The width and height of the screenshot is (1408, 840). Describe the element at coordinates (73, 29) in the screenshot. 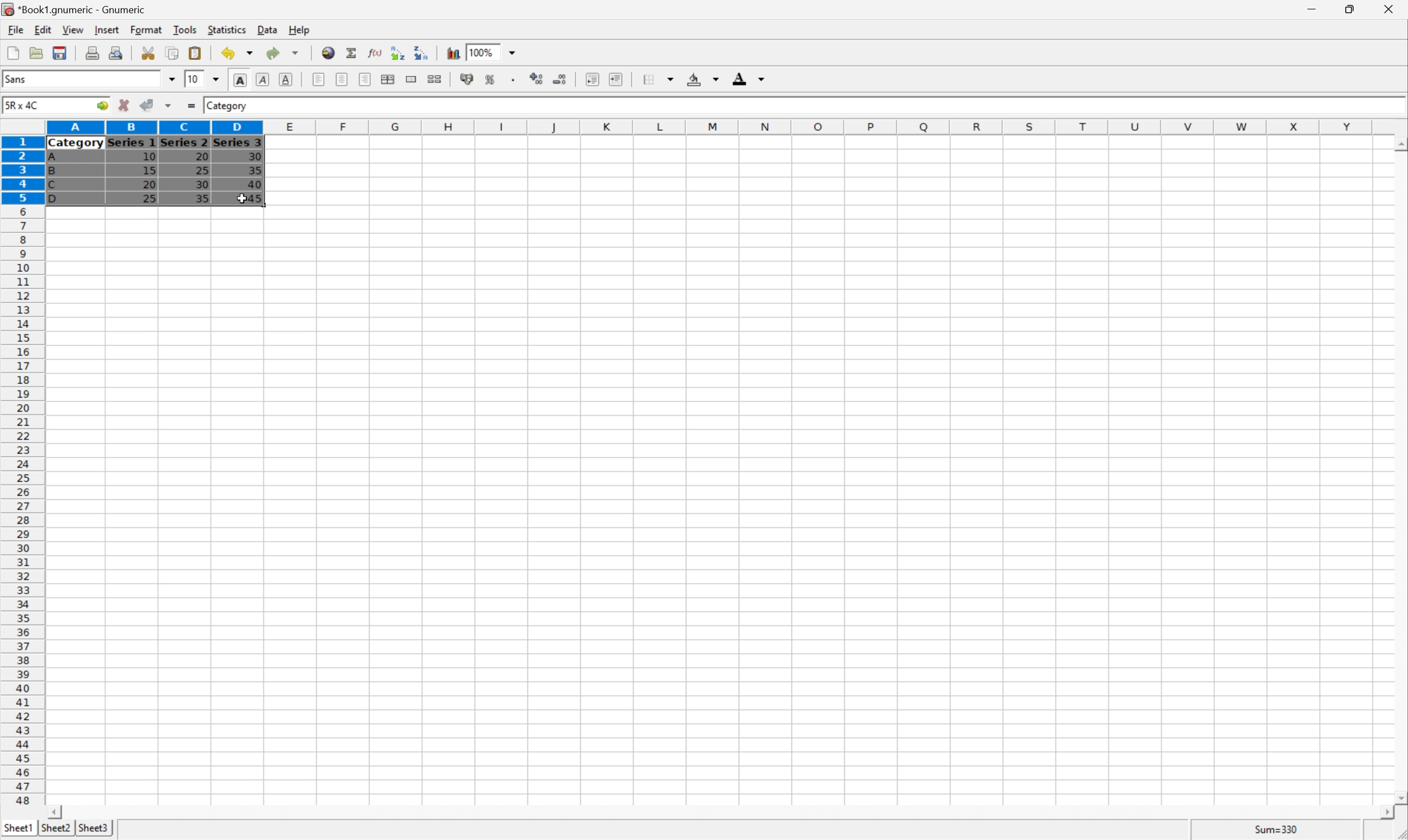

I see `View` at that location.